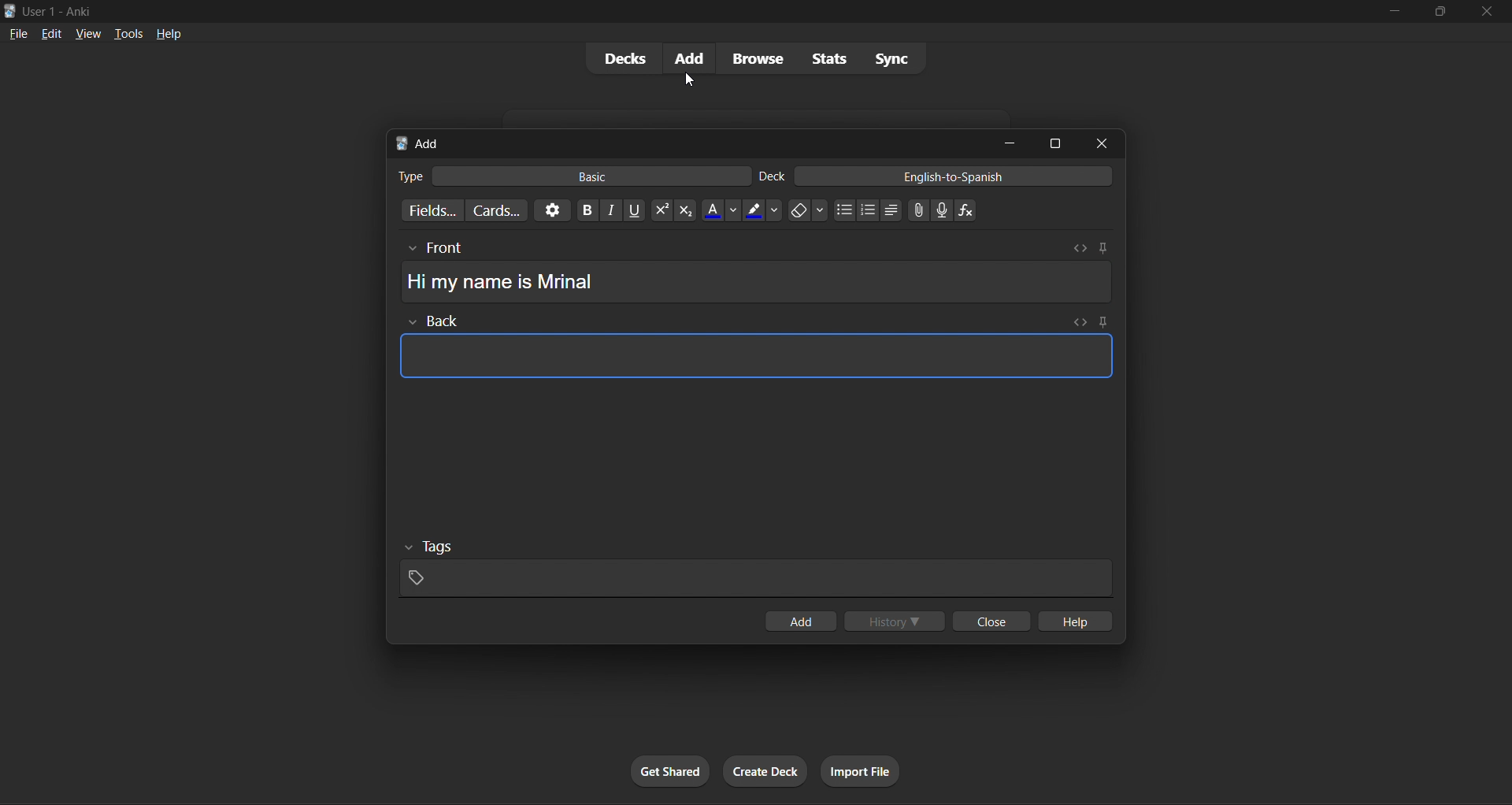 The image size is (1512, 805). What do you see at coordinates (1054, 143) in the screenshot?
I see `maximize` at bounding box center [1054, 143].